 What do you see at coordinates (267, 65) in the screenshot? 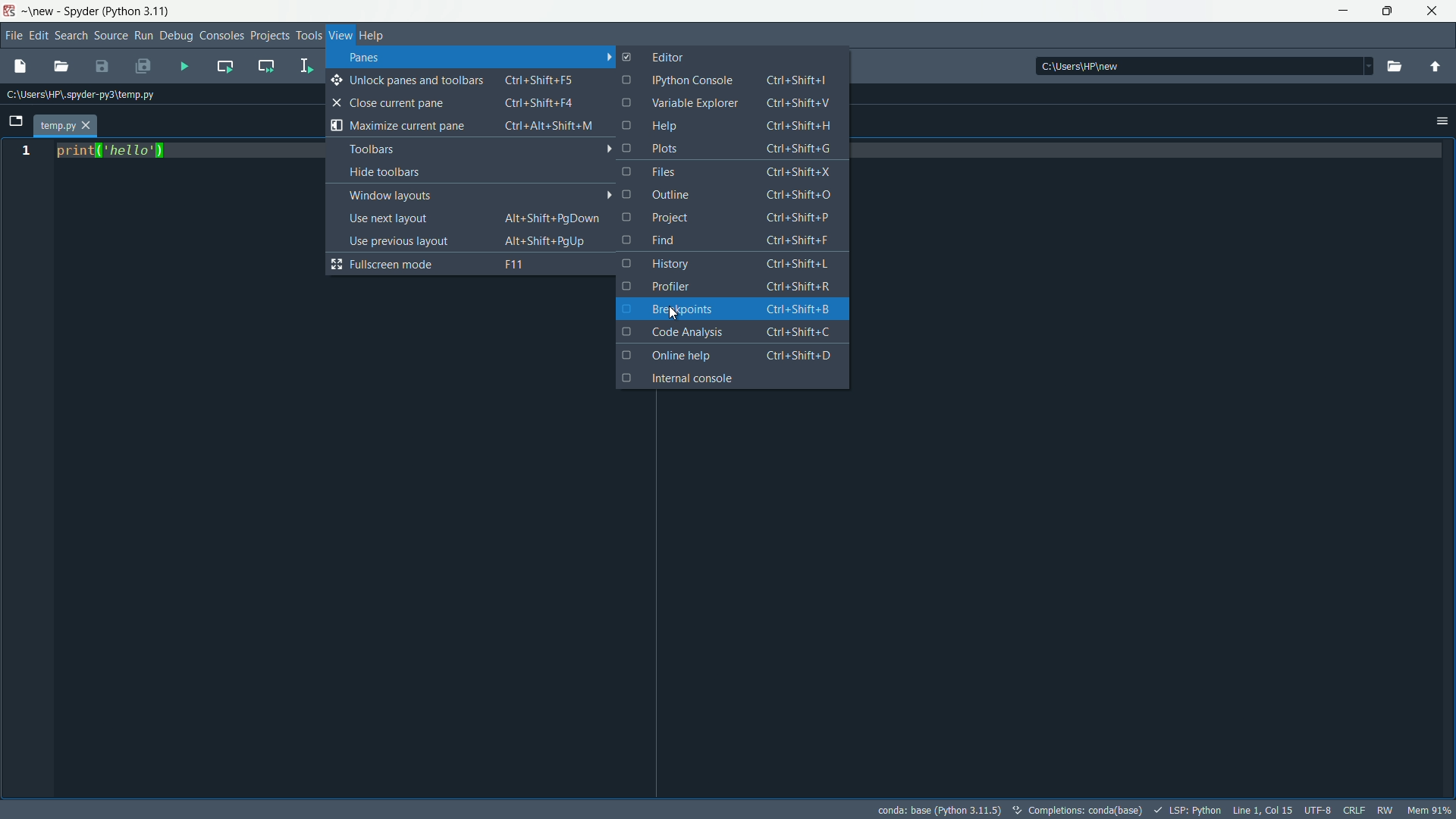
I see `run current cell and go to the next one` at bounding box center [267, 65].